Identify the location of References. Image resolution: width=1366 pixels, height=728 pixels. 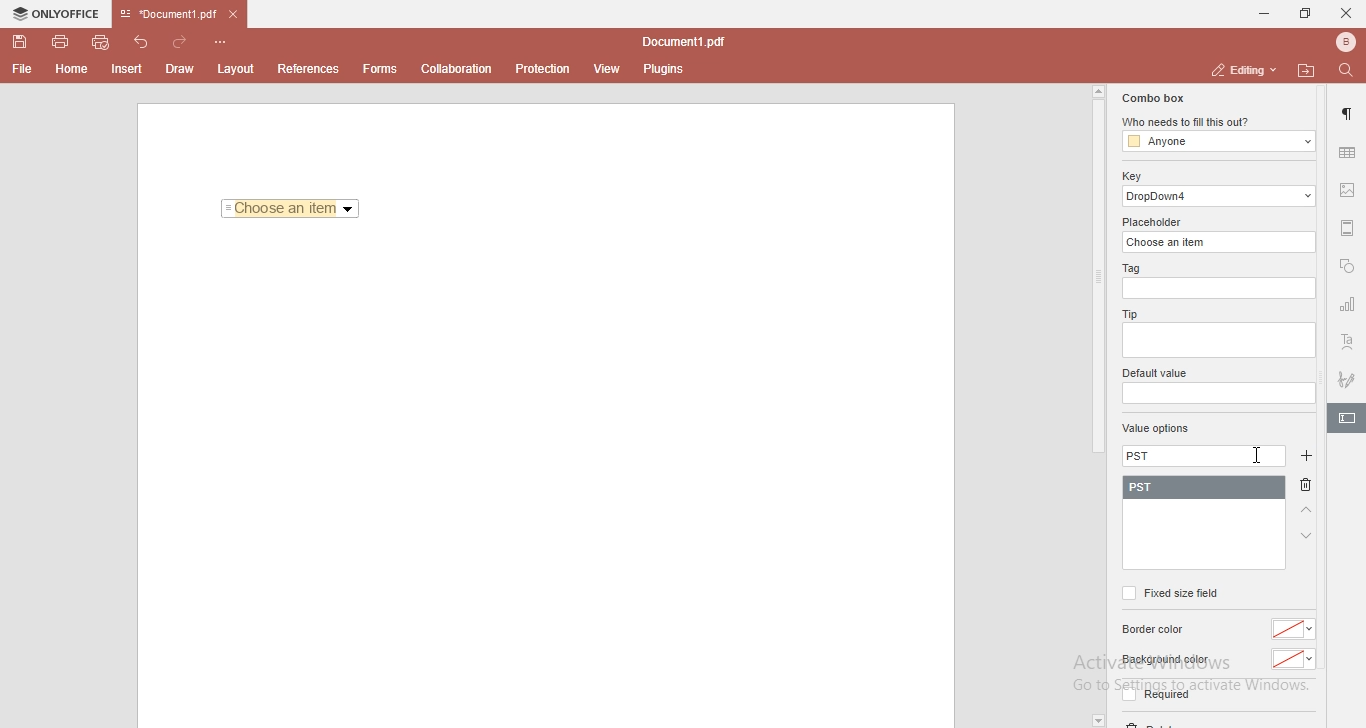
(306, 69).